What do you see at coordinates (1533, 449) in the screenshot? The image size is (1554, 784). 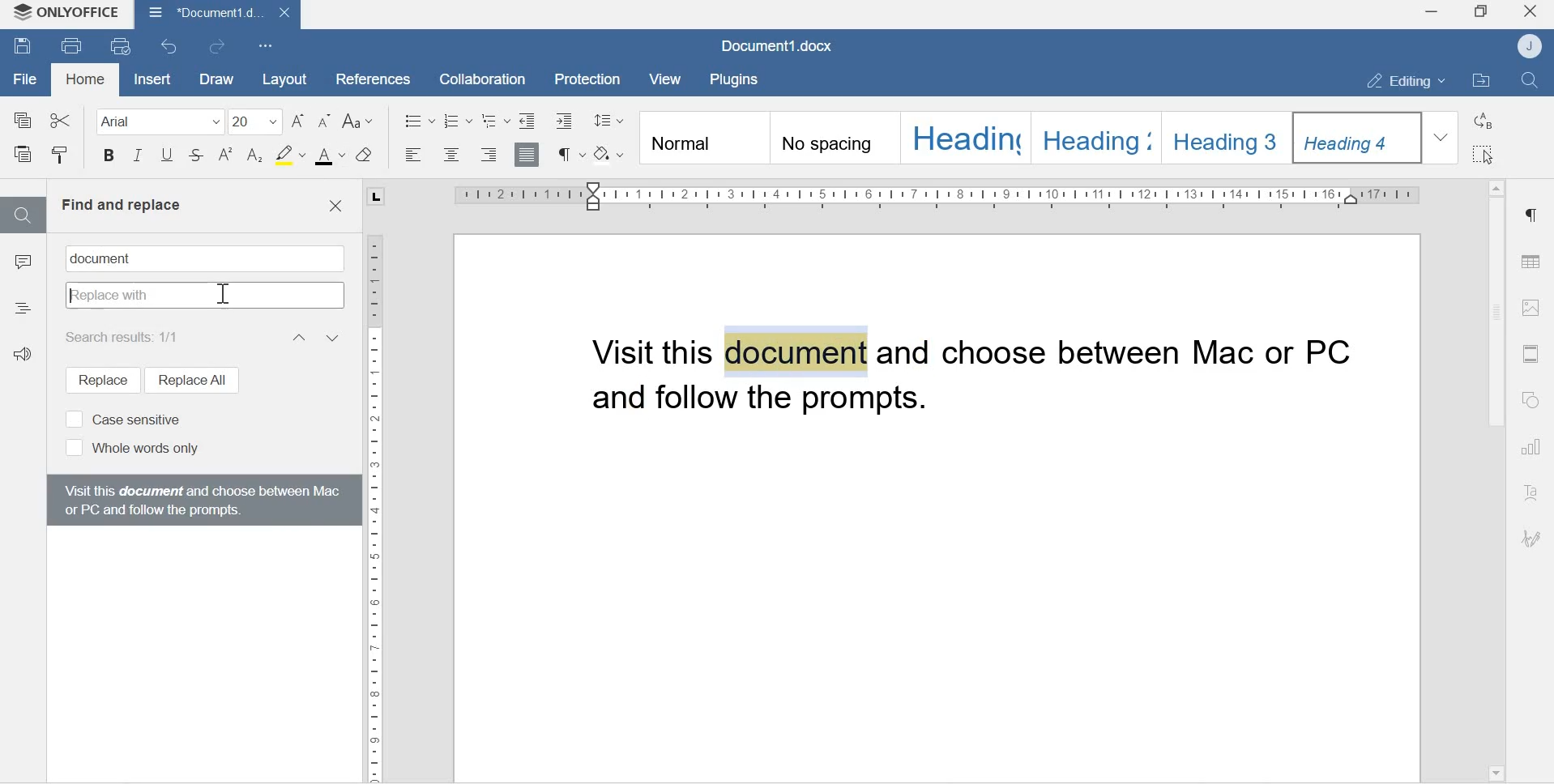 I see `Charts` at bounding box center [1533, 449].